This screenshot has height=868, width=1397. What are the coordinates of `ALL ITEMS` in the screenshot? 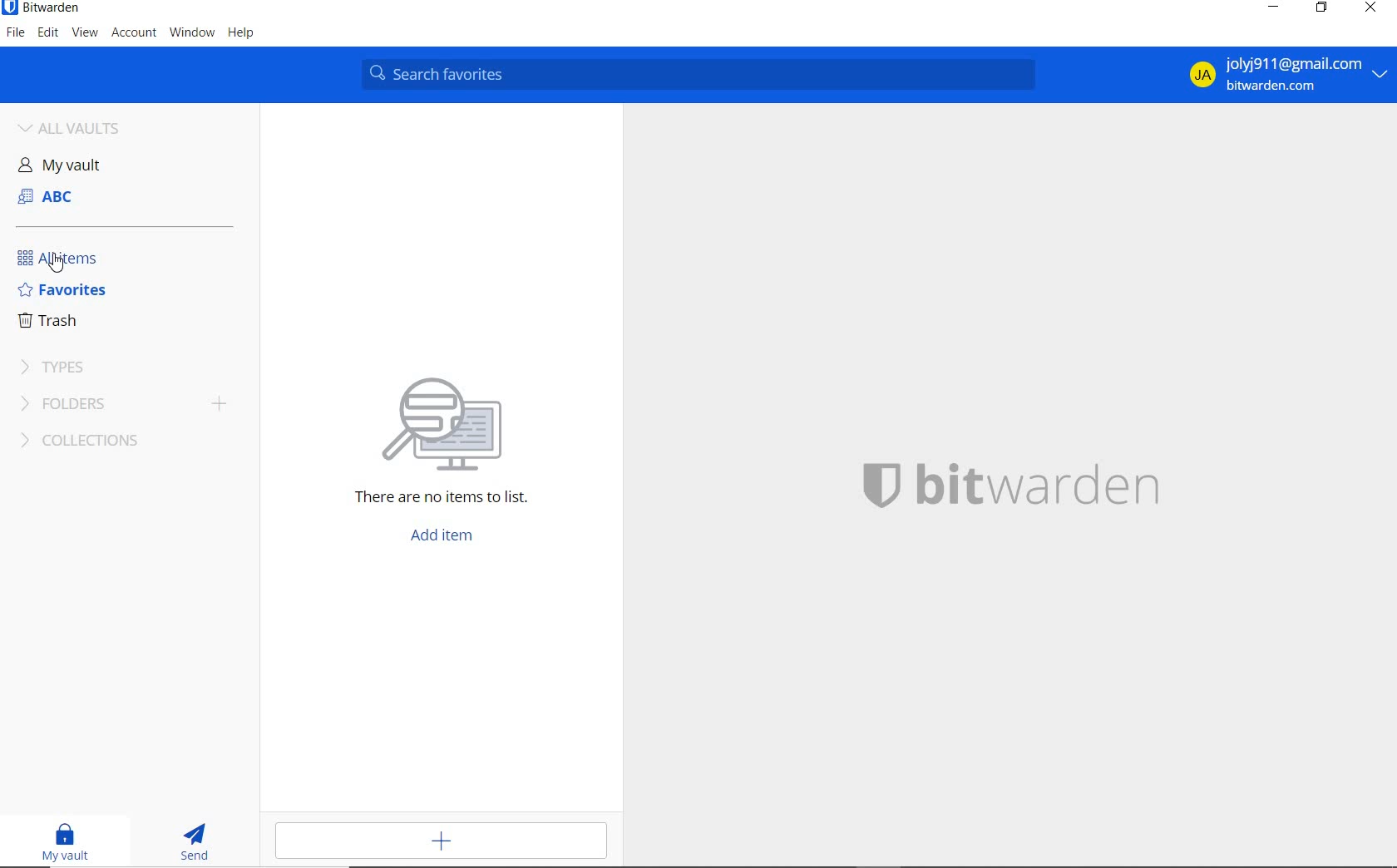 It's located at (64, 258).